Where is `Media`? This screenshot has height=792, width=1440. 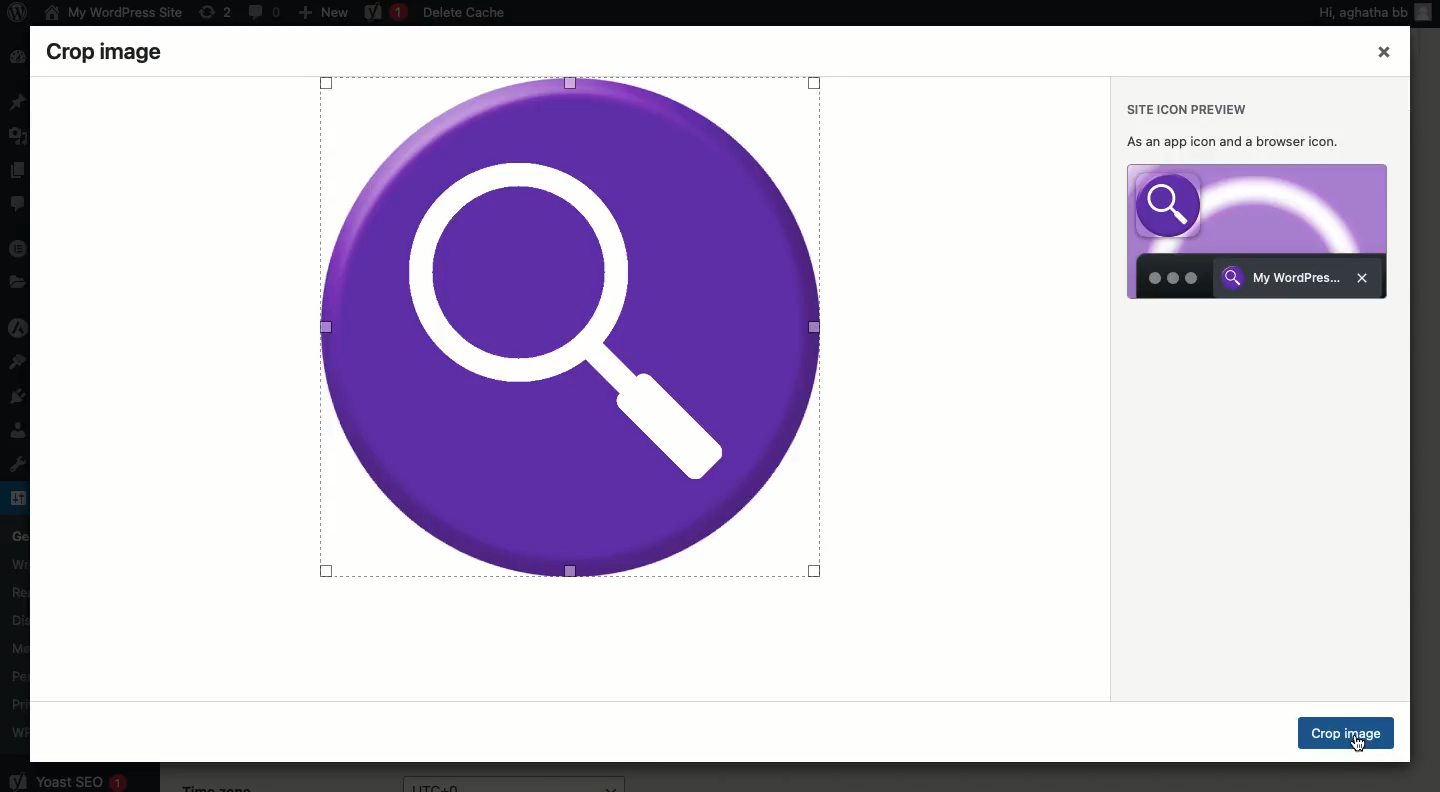 Media is located at coordinates (20, 133).